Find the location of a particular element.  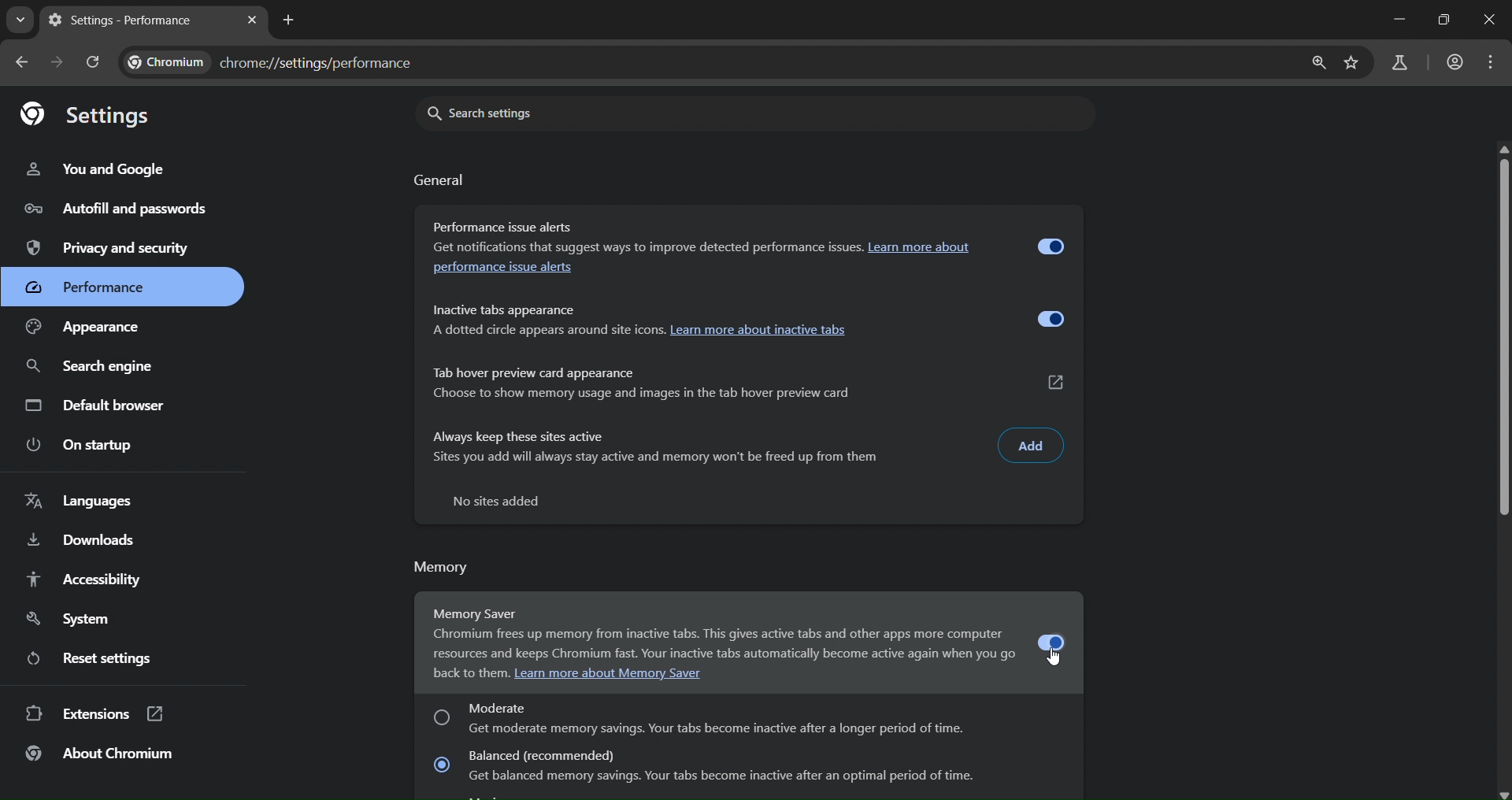

search labs is located at coordinates (1396, 64).